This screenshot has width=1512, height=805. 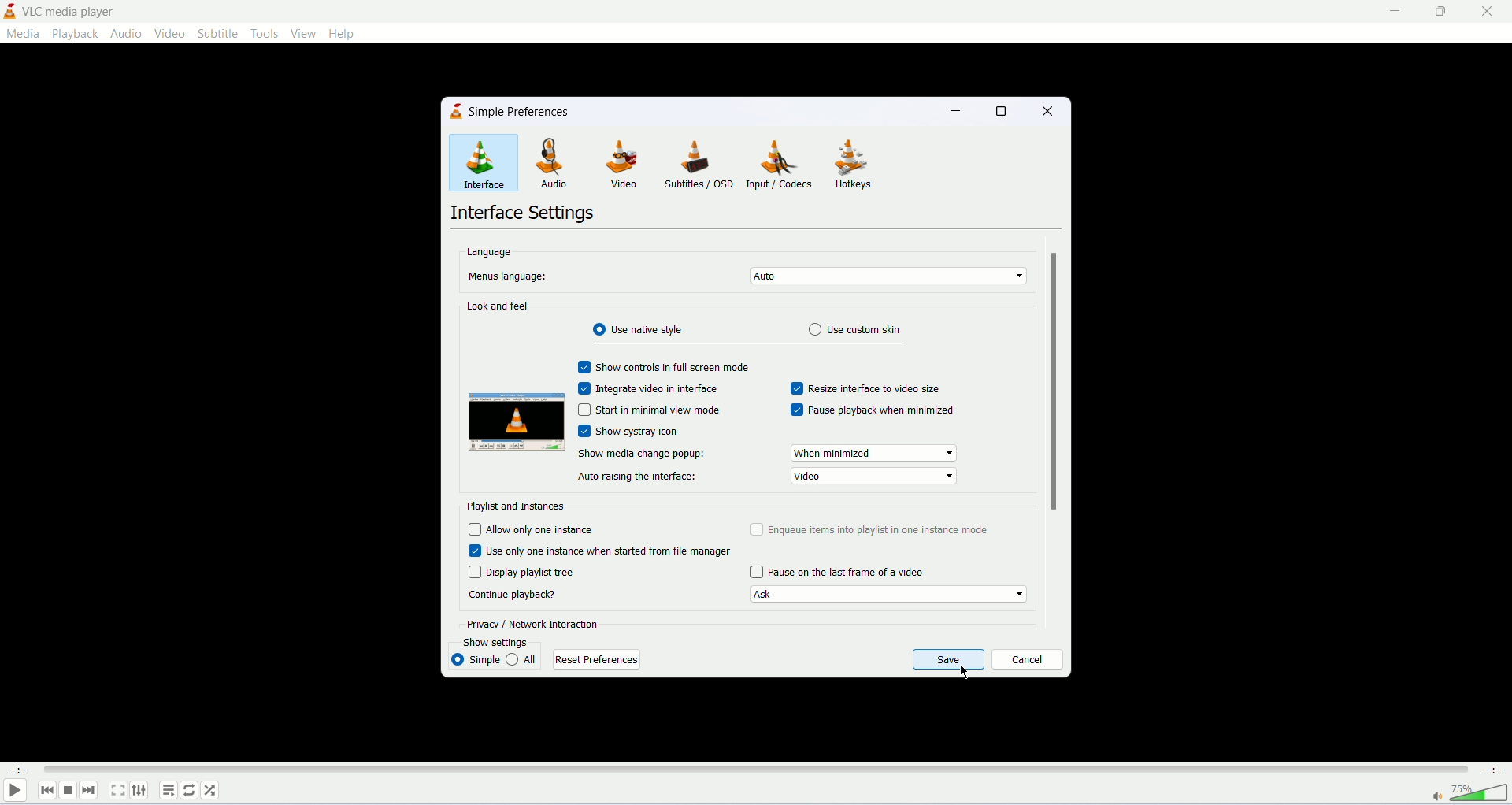 What do you see at coordinates (610, 553) in the screenshot?
I see `use only one instance when started from file manager` at bounding box center [610, 553].